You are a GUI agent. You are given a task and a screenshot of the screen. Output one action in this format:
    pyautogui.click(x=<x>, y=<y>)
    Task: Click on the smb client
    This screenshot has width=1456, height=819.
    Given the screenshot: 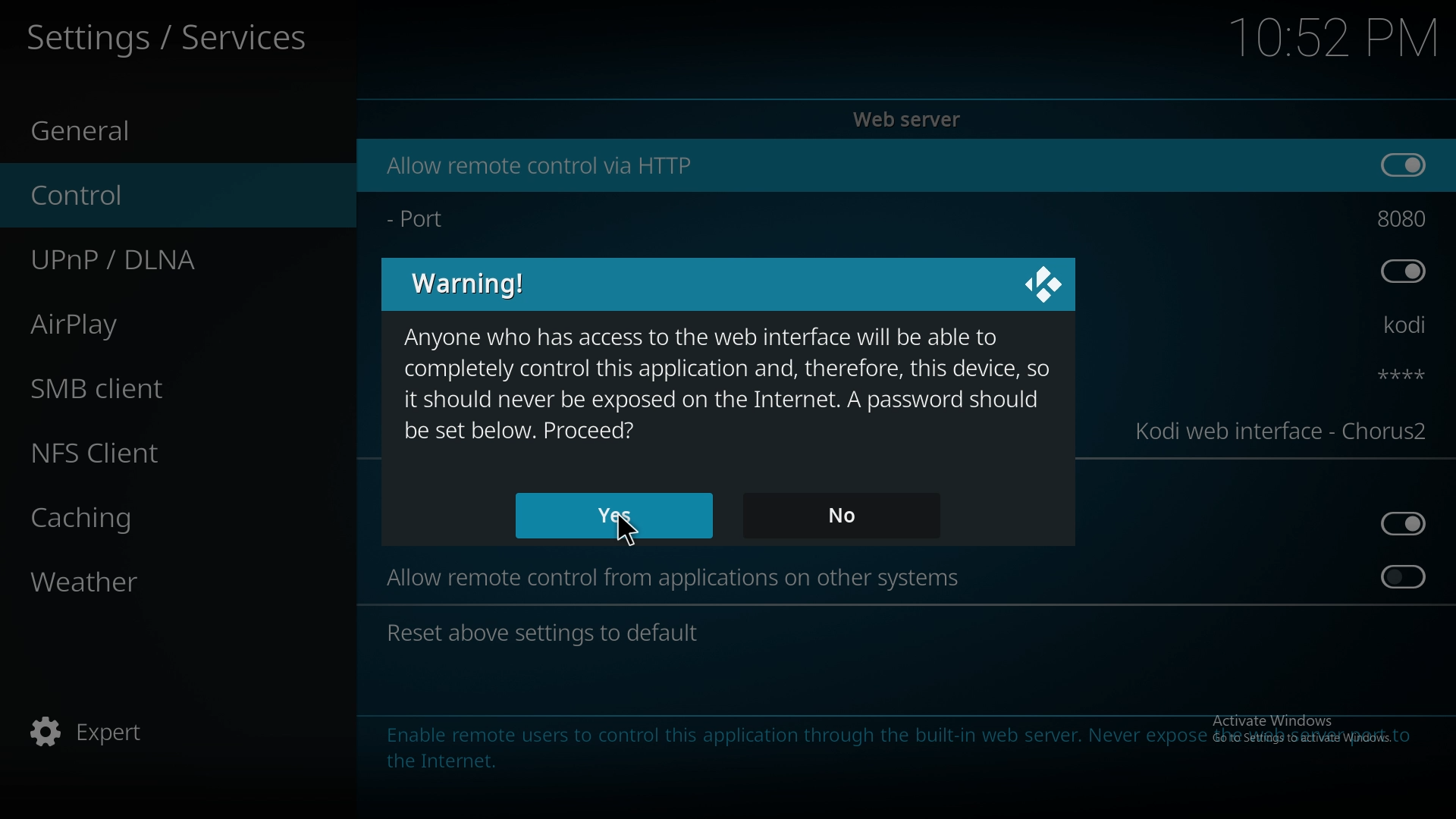 What is the action you would take?
    pyautogui.click(x=152, y=388)
    